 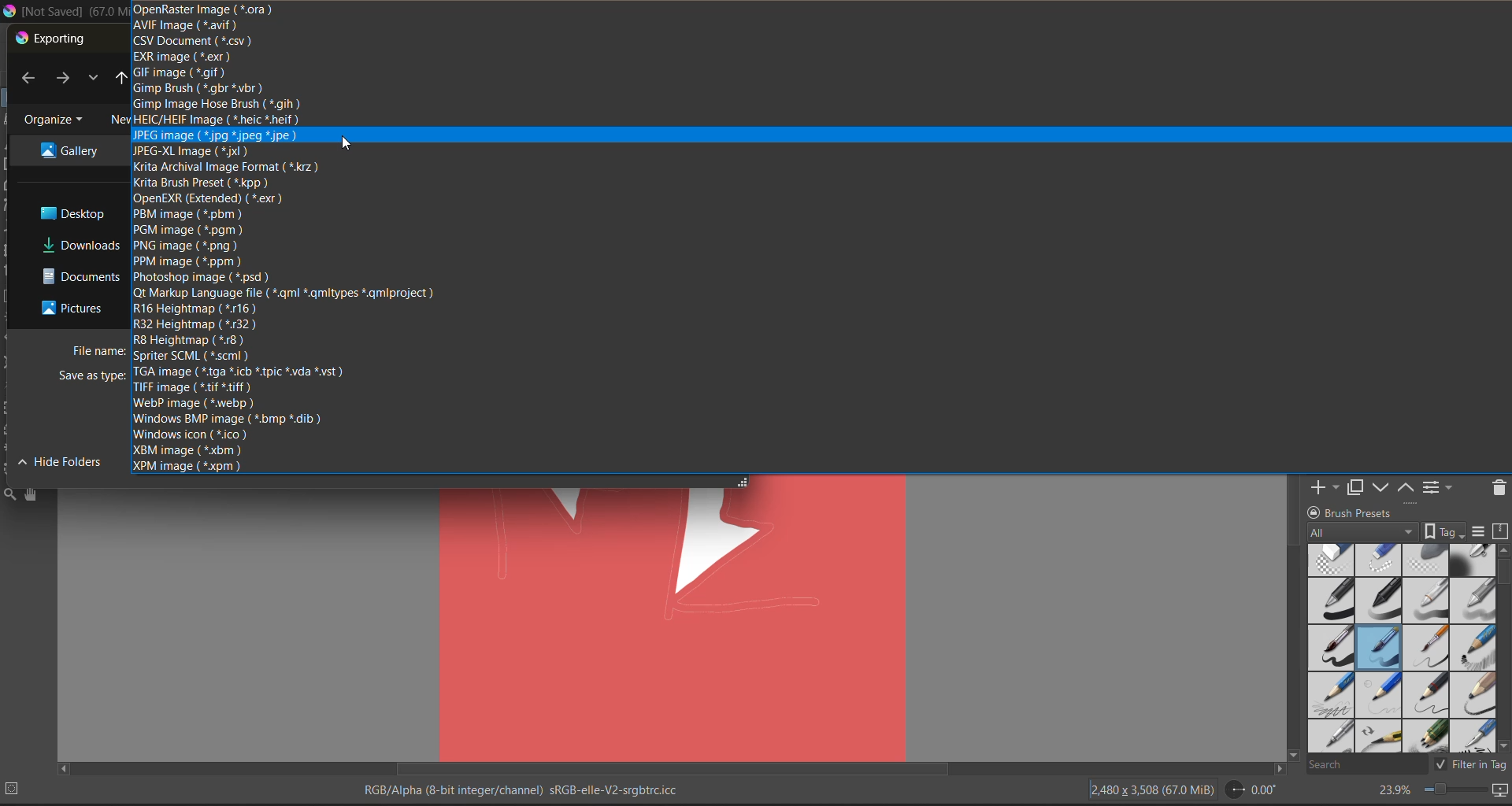 I want to click on xpm, so click(x=302, y=467).